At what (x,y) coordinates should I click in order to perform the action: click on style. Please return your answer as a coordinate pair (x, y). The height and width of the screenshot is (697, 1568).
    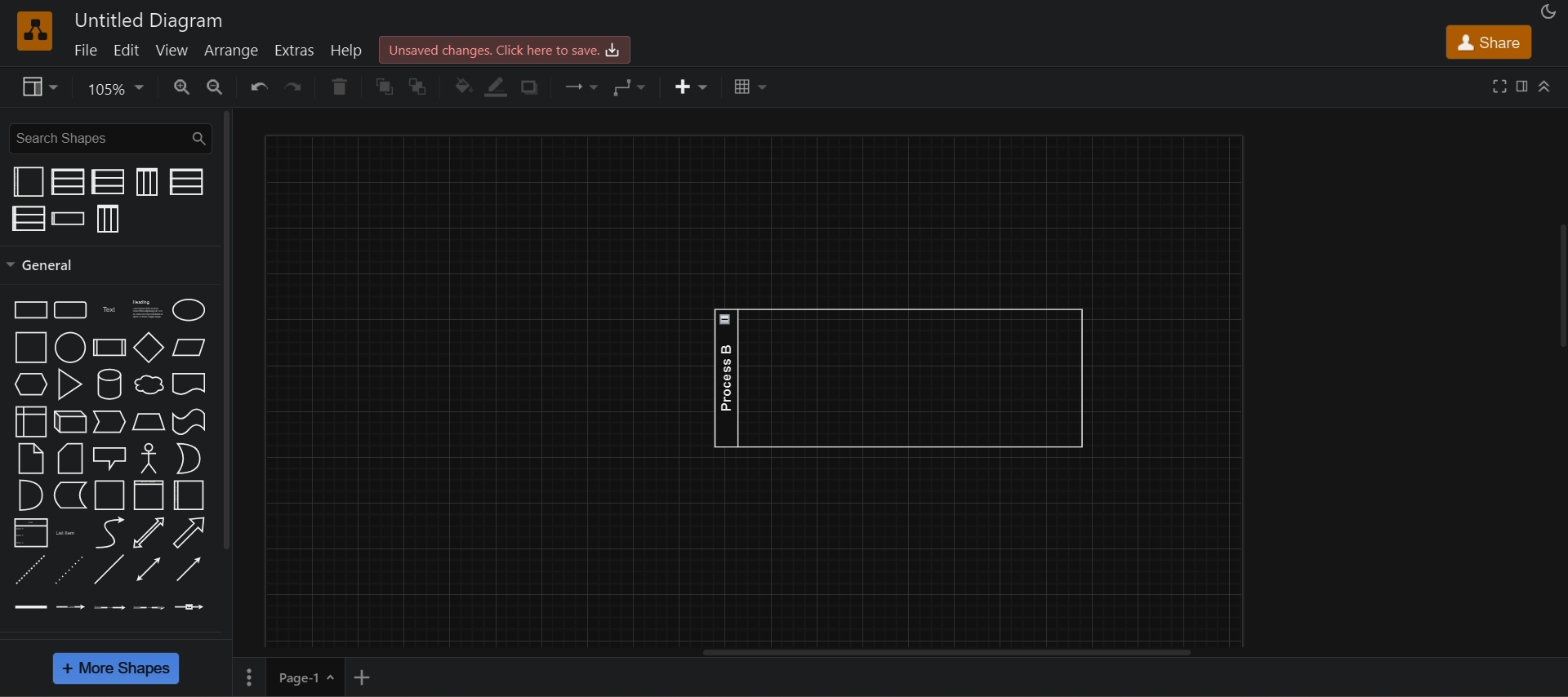
    Looking at the image, I should click on (42, 87).